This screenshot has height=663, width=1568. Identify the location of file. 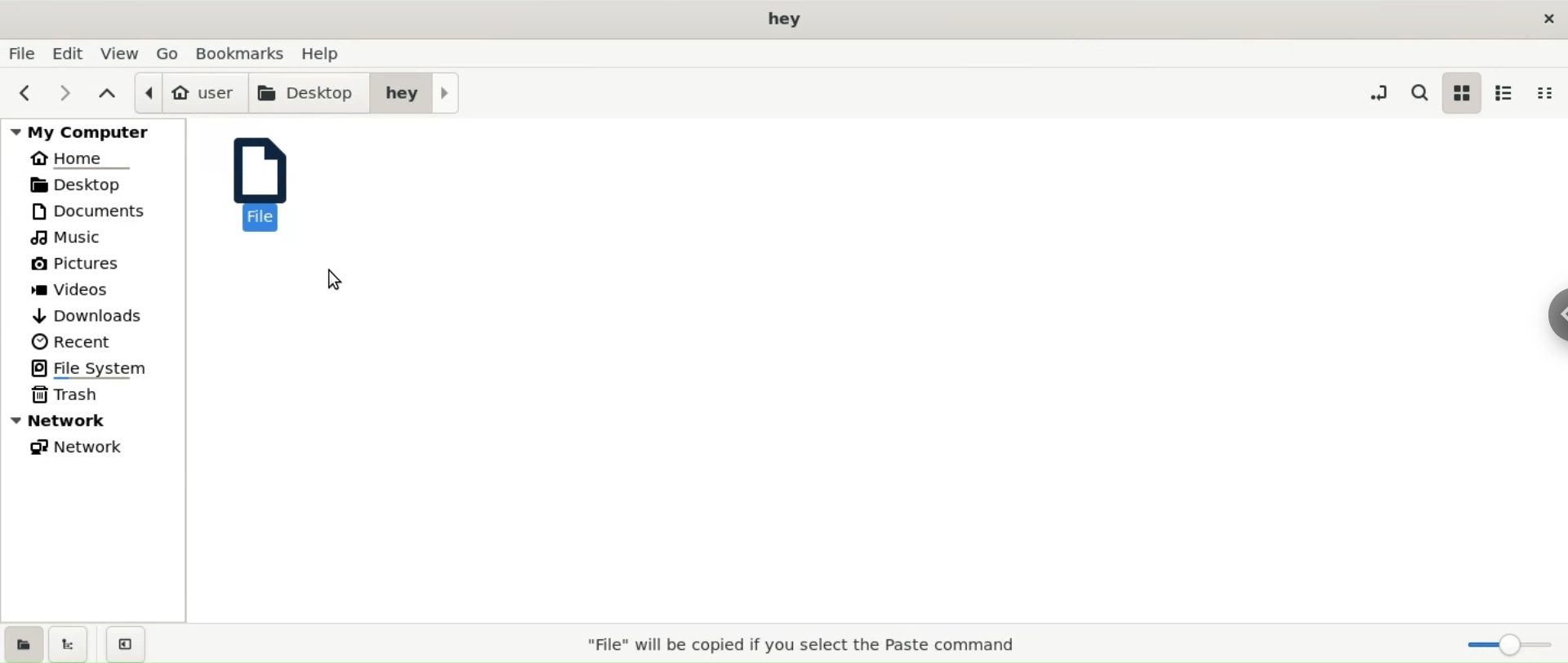
(268, 189).